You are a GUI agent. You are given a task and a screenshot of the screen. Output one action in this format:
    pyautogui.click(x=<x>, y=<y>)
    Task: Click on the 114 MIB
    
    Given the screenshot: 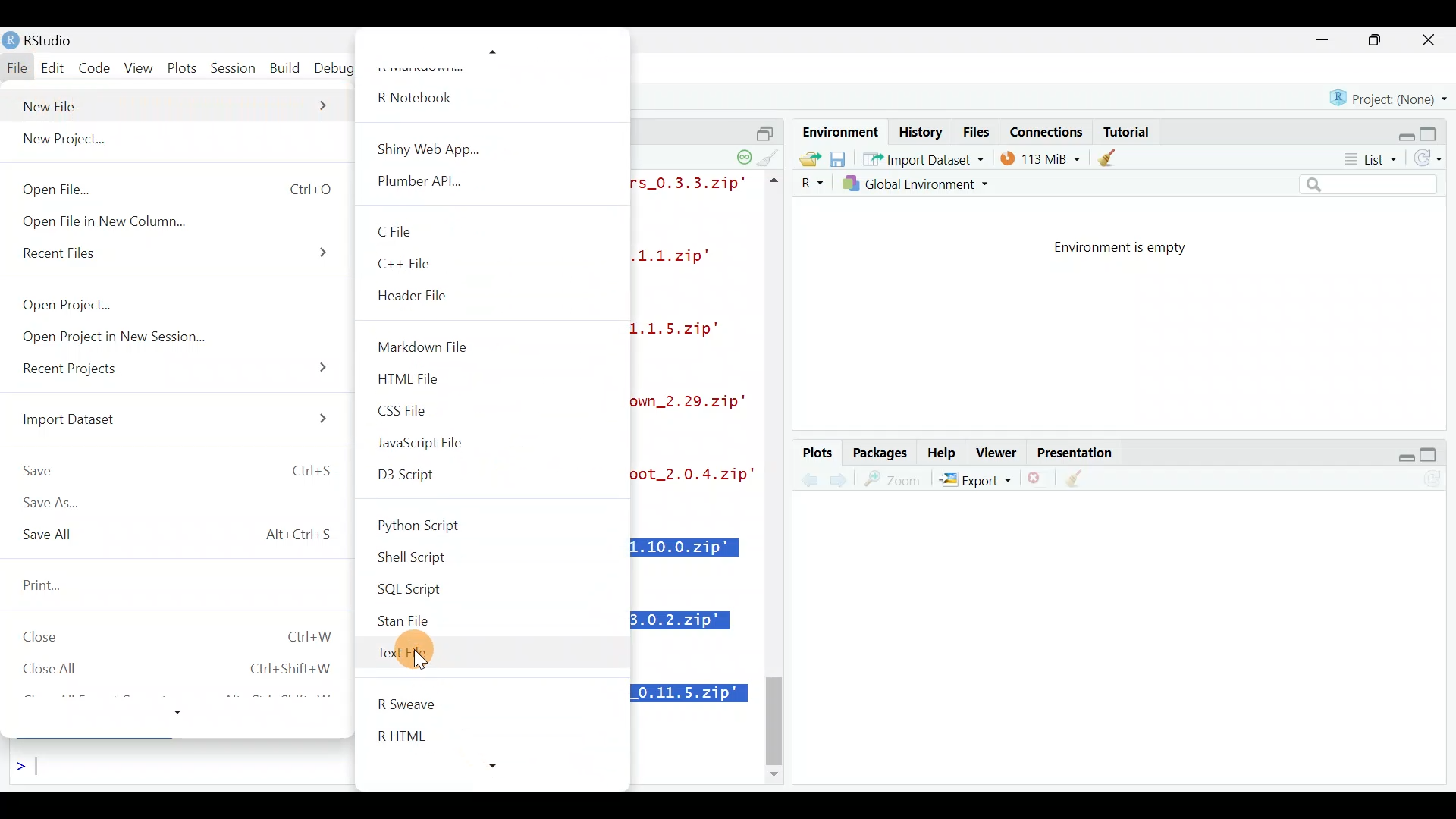 What is the action you would take?
    pyautogui.click(x=1040, y=158)
    